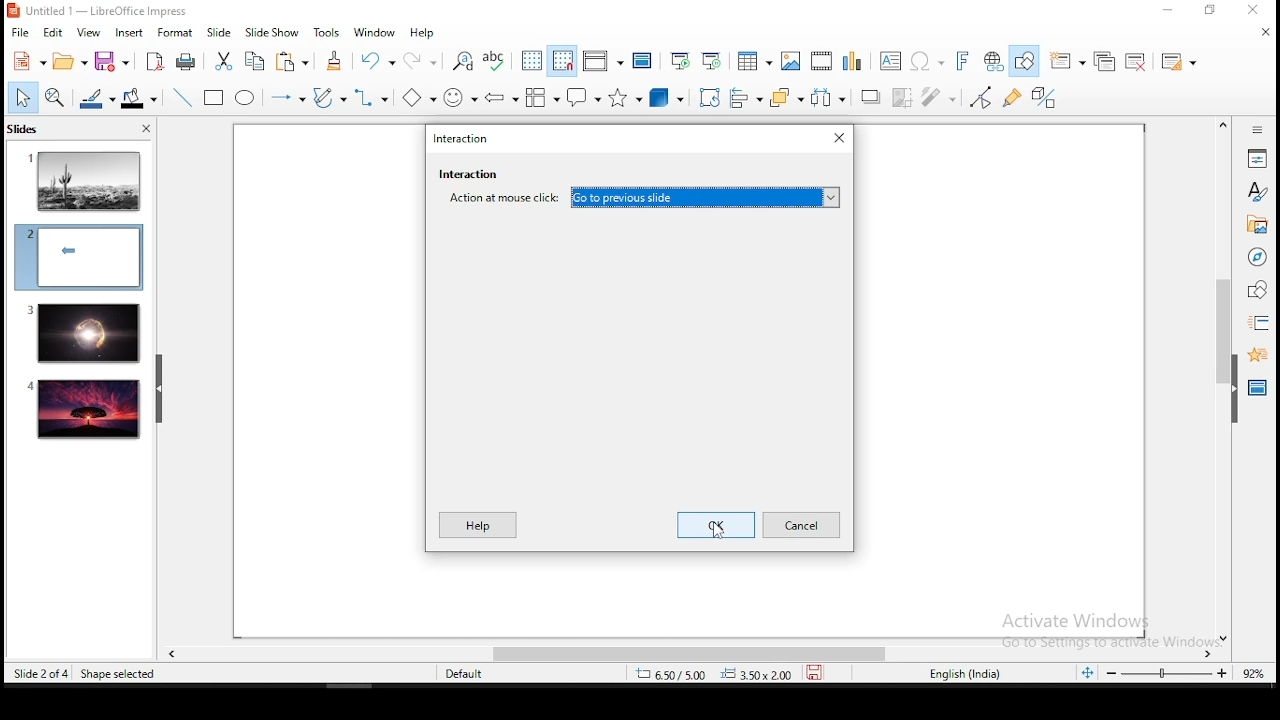 The image size is (1280, 720). Describe the element at coordinates (95, 99) in the screenshot. I see `line fill` at that location.